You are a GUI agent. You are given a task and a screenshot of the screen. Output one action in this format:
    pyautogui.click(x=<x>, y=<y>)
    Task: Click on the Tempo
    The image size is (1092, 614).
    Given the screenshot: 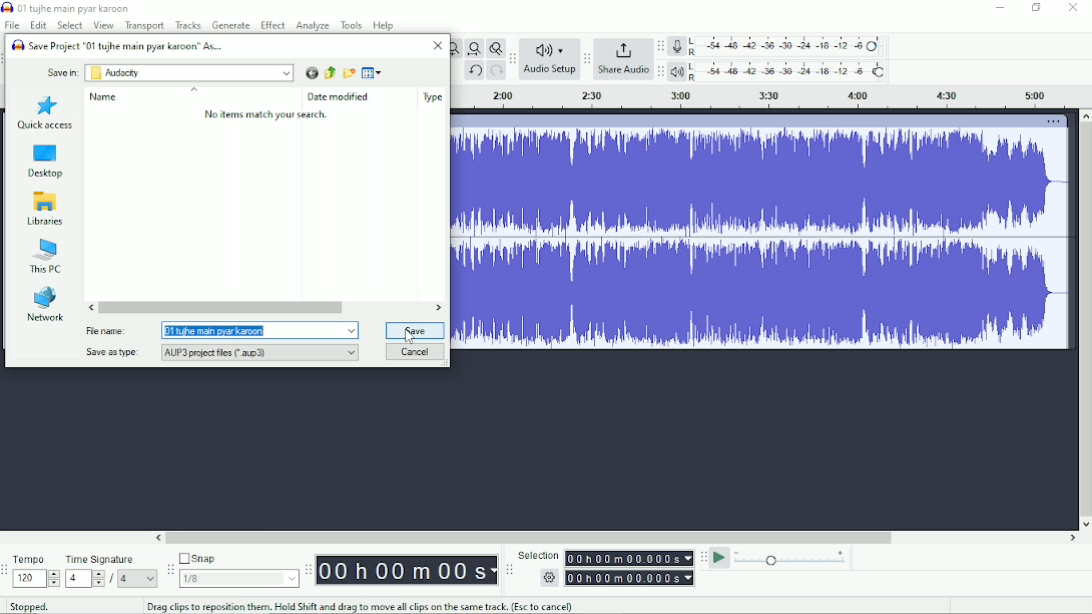 What is the action you would take?
    pyautogui.click(x=37, y=571)
    